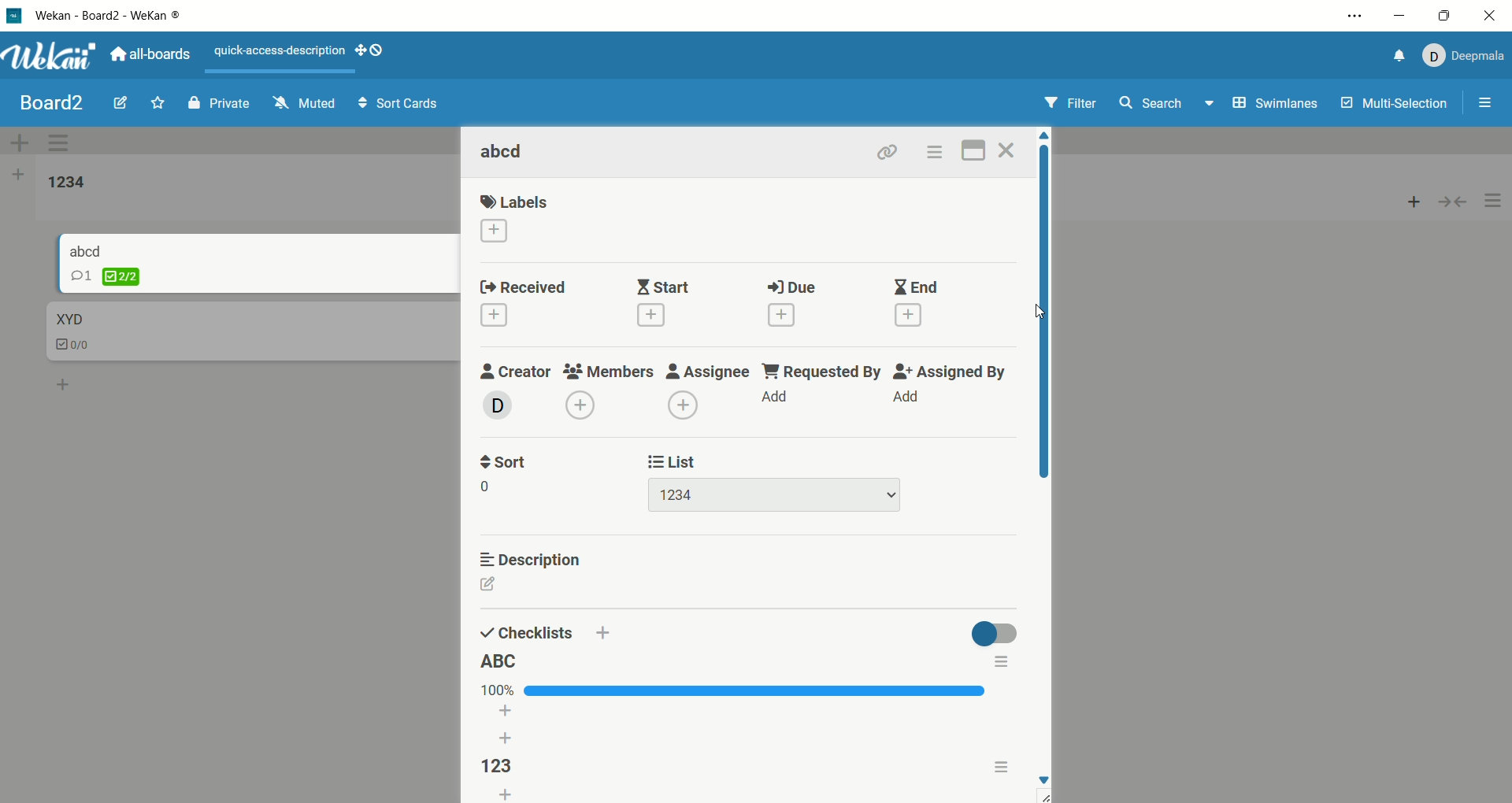 The image size is (1512, 803). What do you see at coordinates (1168, 105) in the screenshot?
I see `search` at bounding box center [1168, 105].